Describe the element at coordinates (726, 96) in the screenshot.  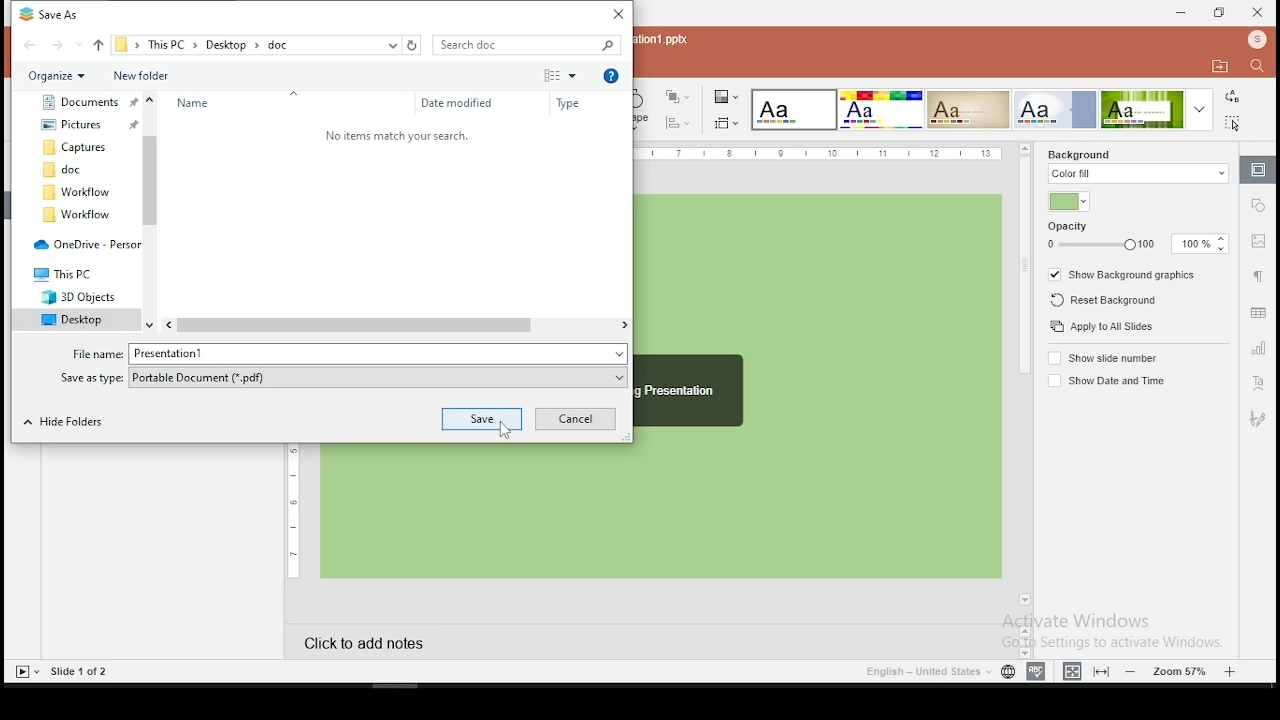
I see `change color theme` at that location.